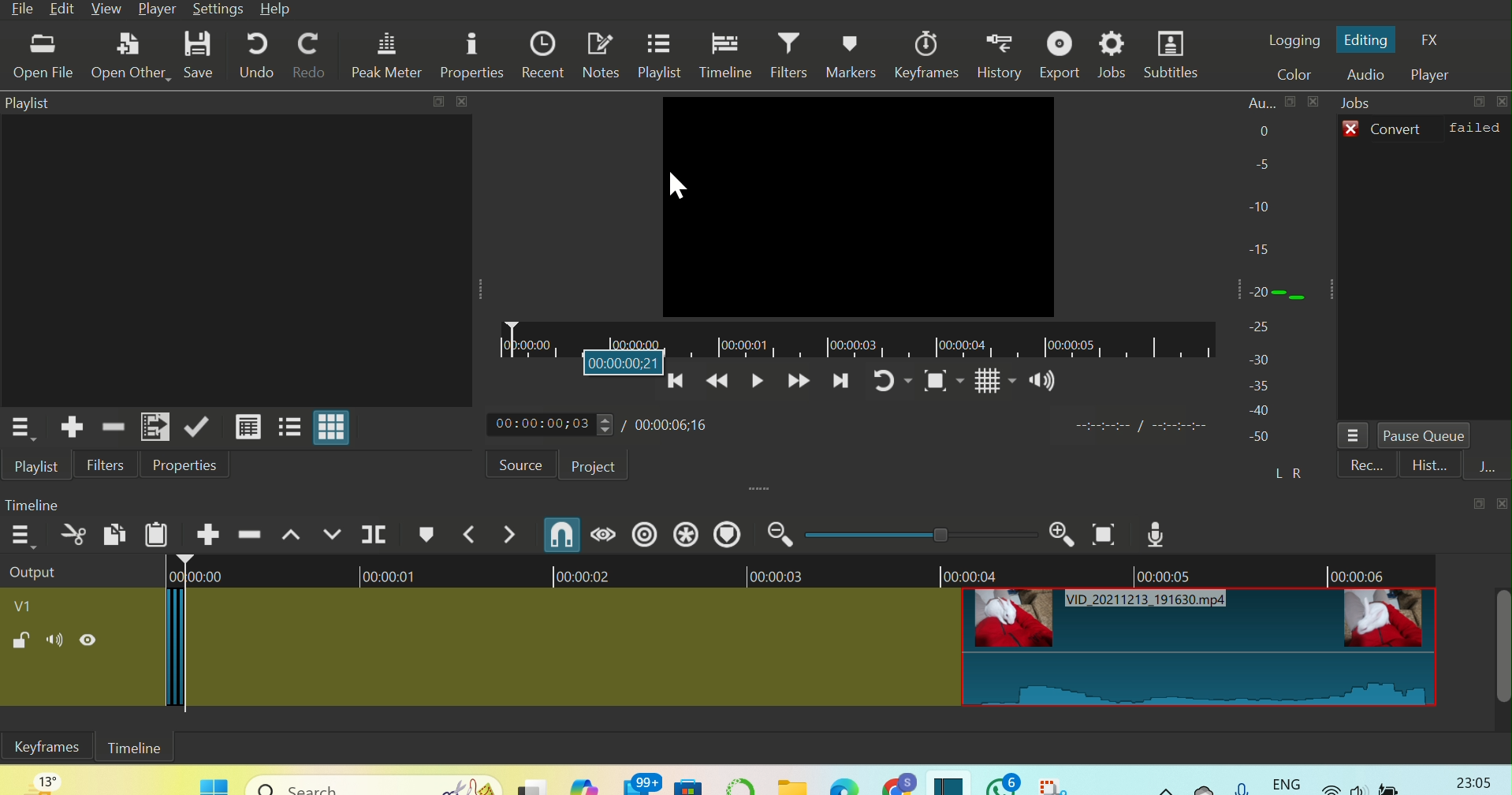 This screenshot has height=795, width=1512. What do you see at coordinates (523, 464) in the screenshot?
I see `Source` at bounding box center [523, 464].